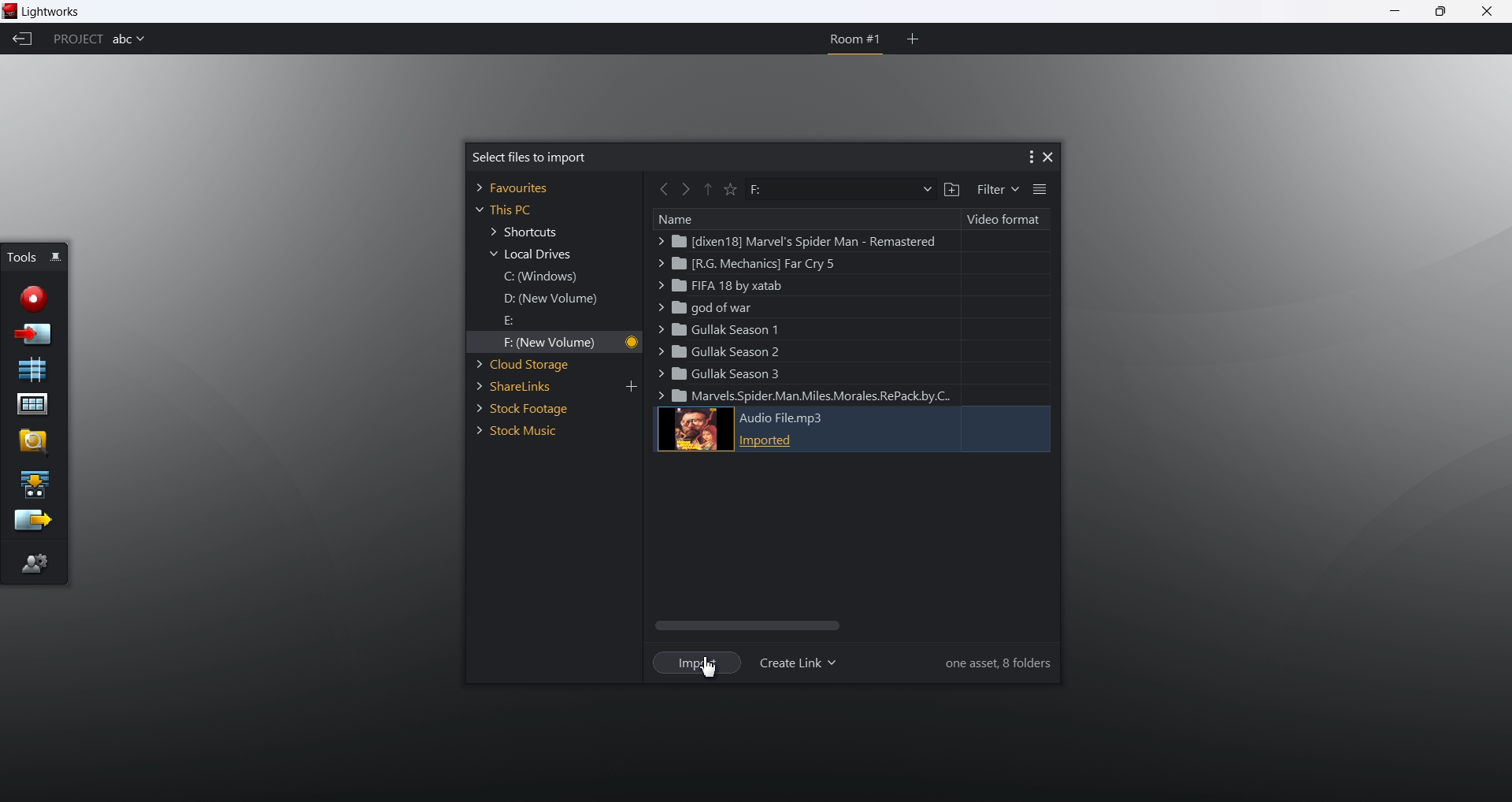 Image resolution: width=1512 pixels, height=802 pixels. What do you see at coordinates (704, 190) in the screenshot?
I see `previous` at bounding box center [704, 190].